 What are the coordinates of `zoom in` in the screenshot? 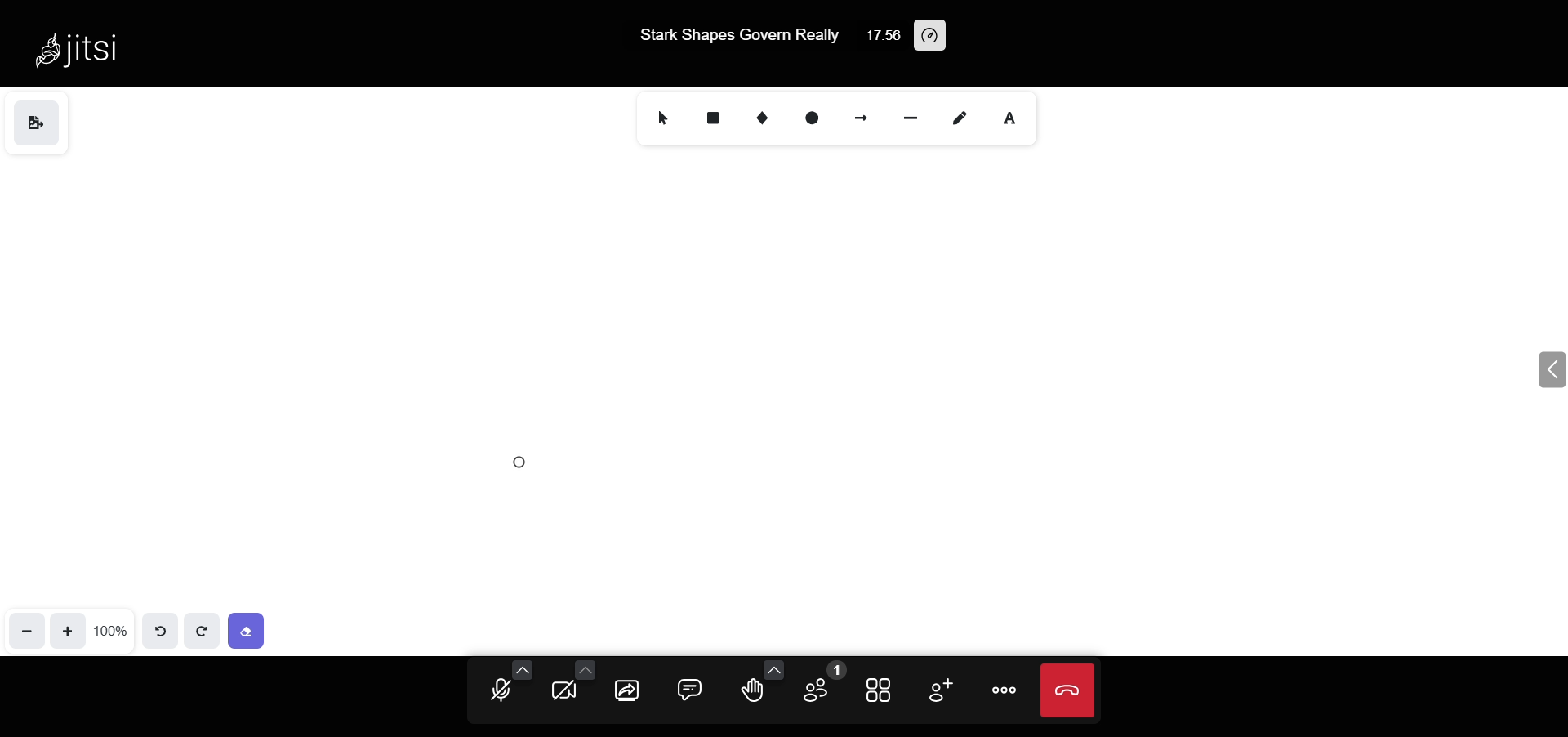 It's located at (68, 629).